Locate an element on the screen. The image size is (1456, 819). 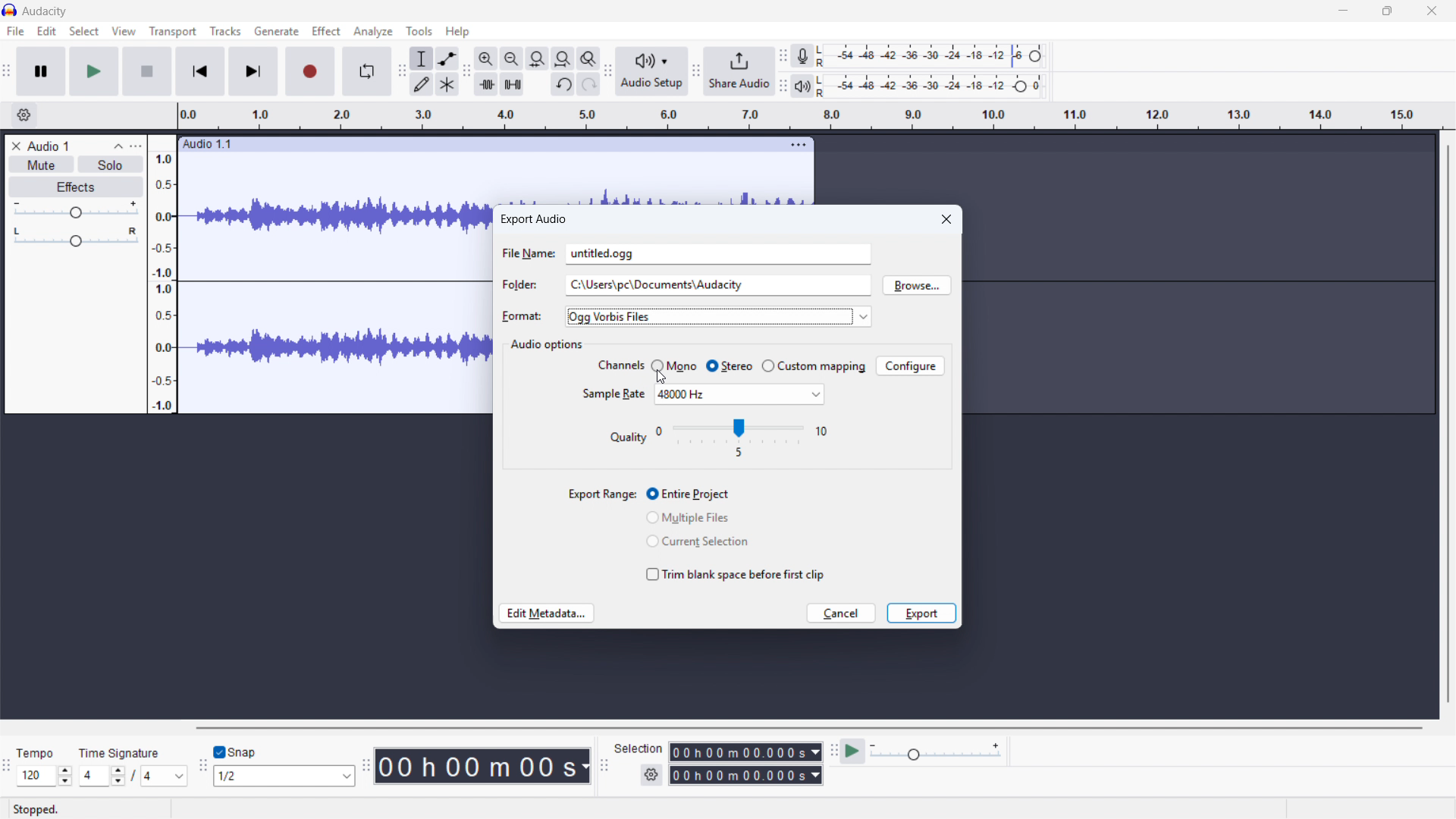
stopped is located at coordinates (43, 808).